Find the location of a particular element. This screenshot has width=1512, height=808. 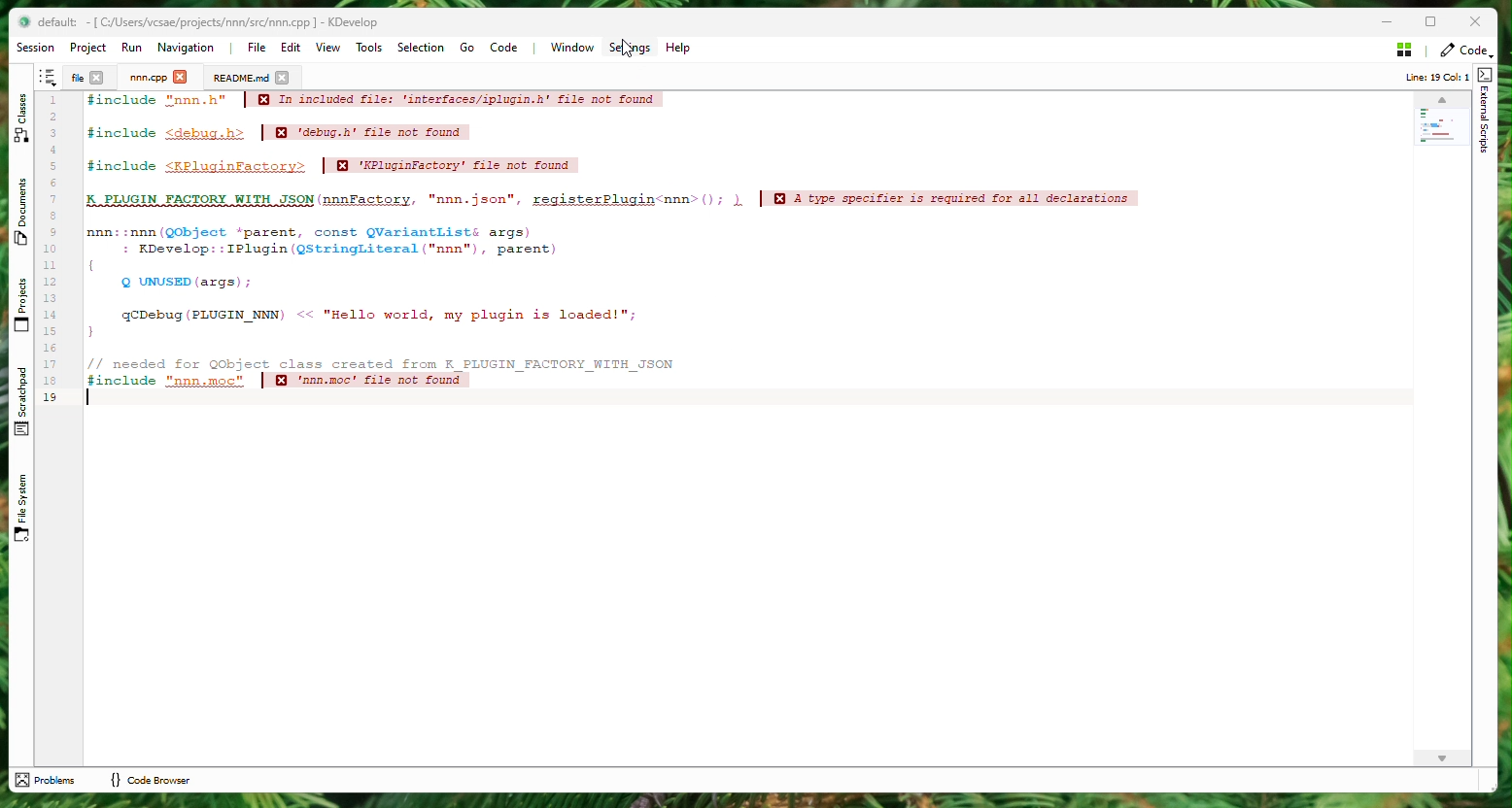

file name and application name is located at coordinates (219, 23).